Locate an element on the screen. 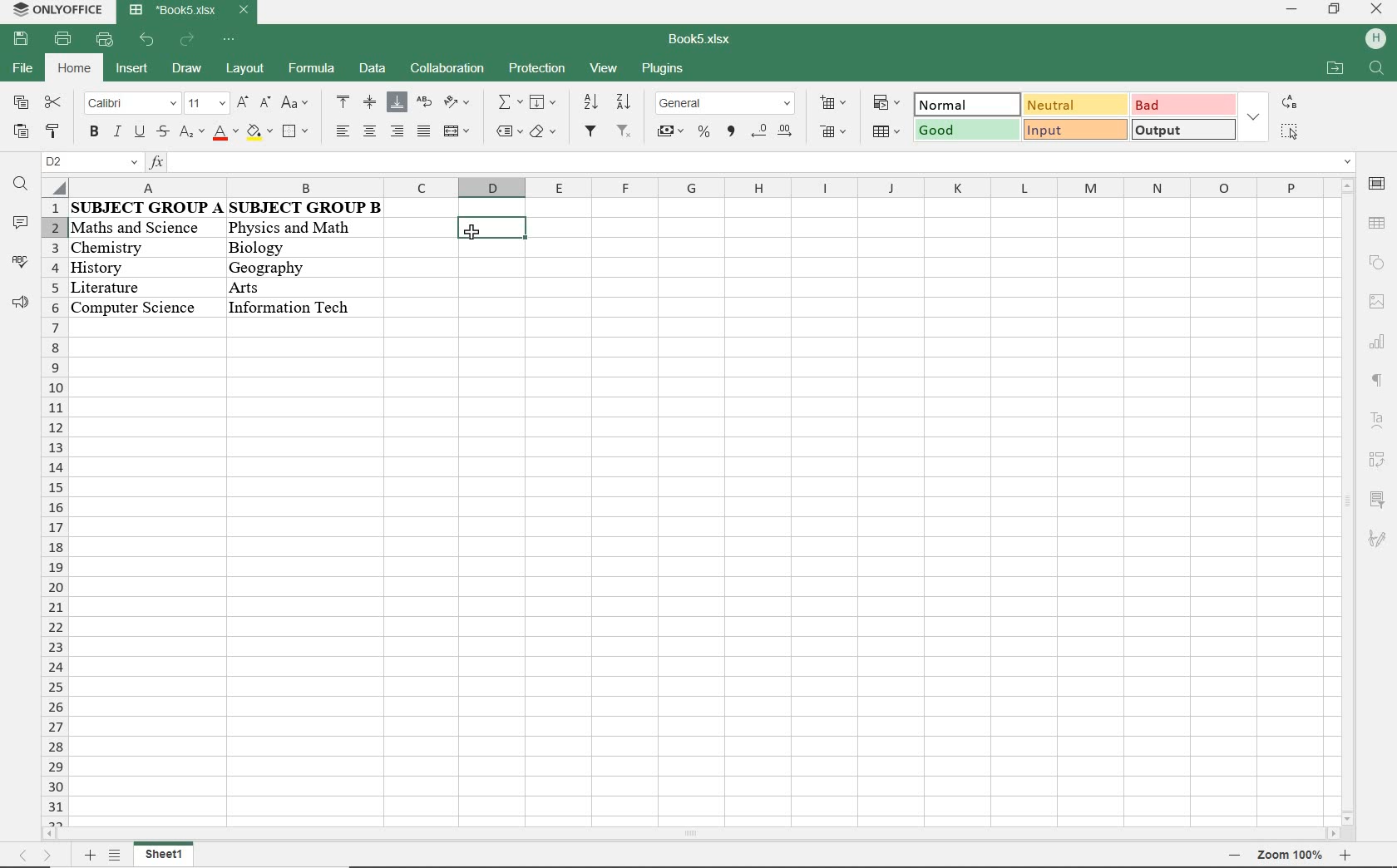 This screenshot has width=1397, height=868. cursor on box is located at coordinates (475, 235).